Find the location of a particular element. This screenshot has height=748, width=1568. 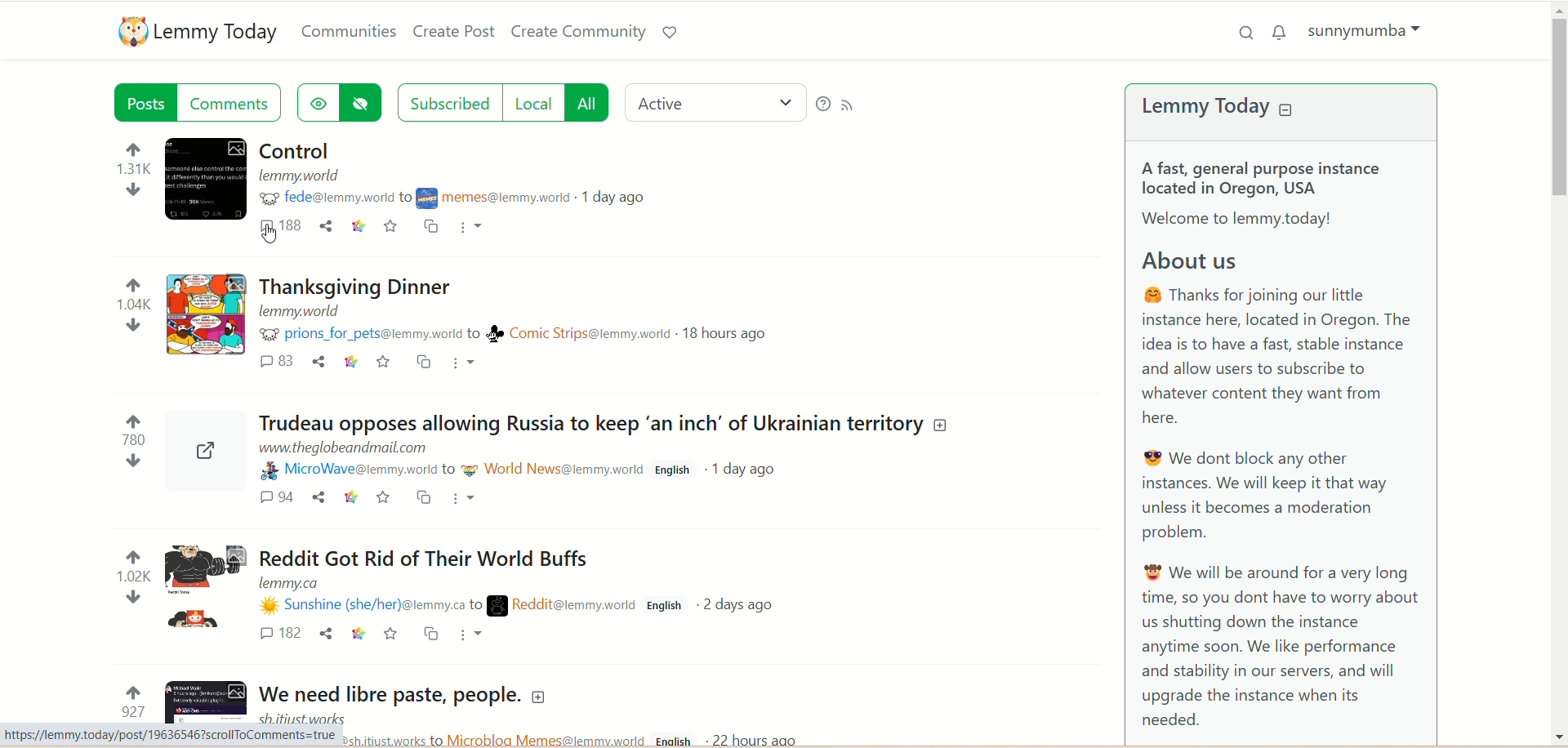

username is located at coordinates (362, 334).